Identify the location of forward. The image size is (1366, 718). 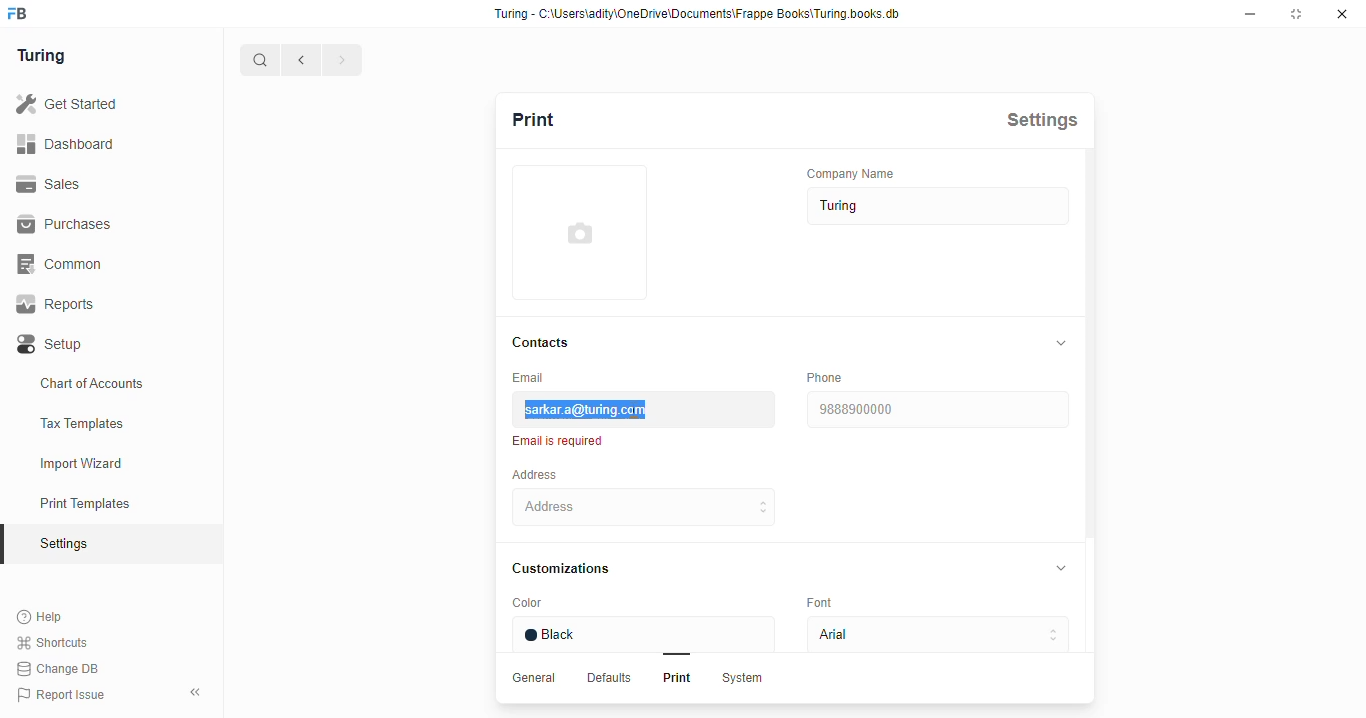
(341, 61).